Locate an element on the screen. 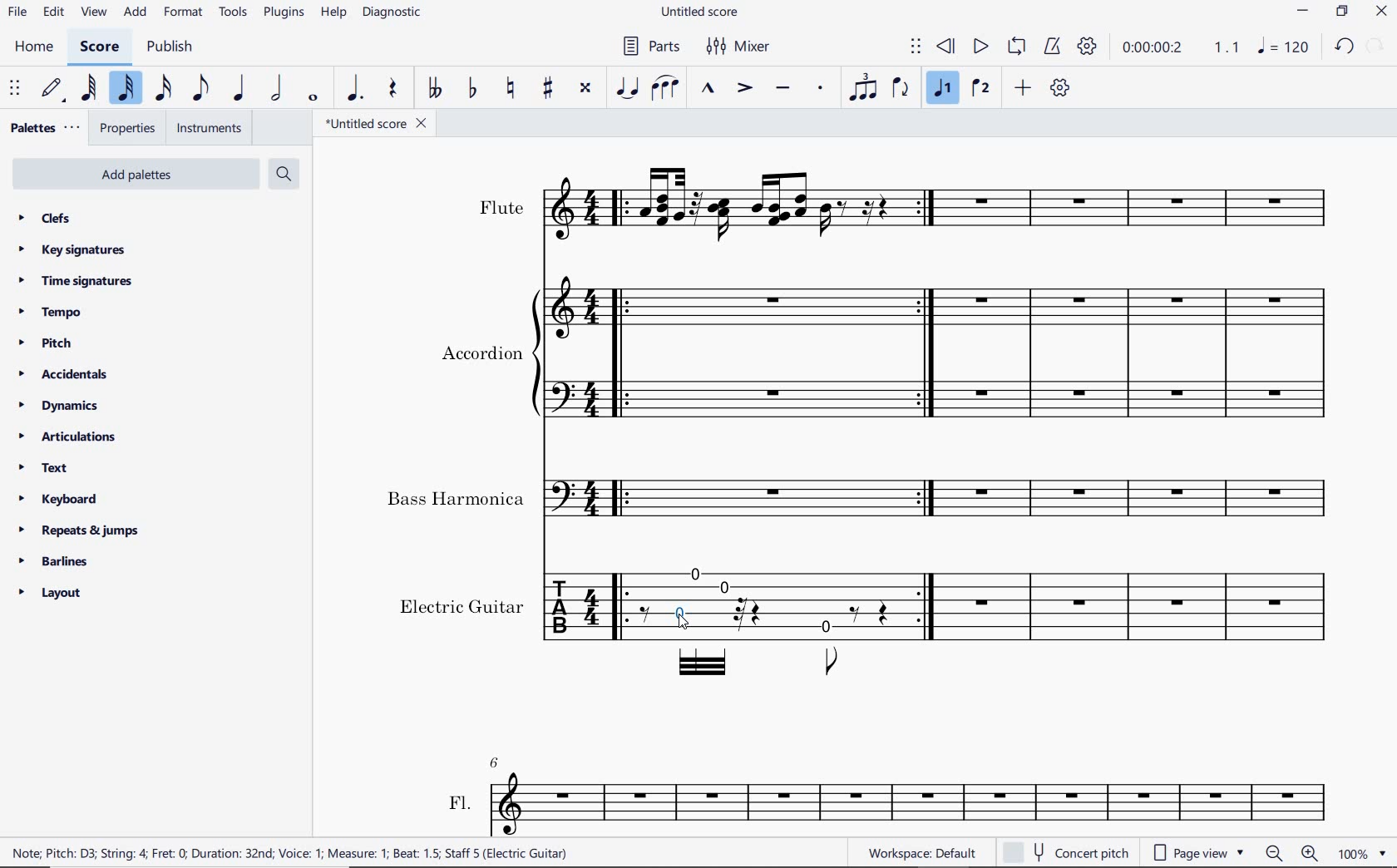  default (step time) is located at coordinates (52, 90).